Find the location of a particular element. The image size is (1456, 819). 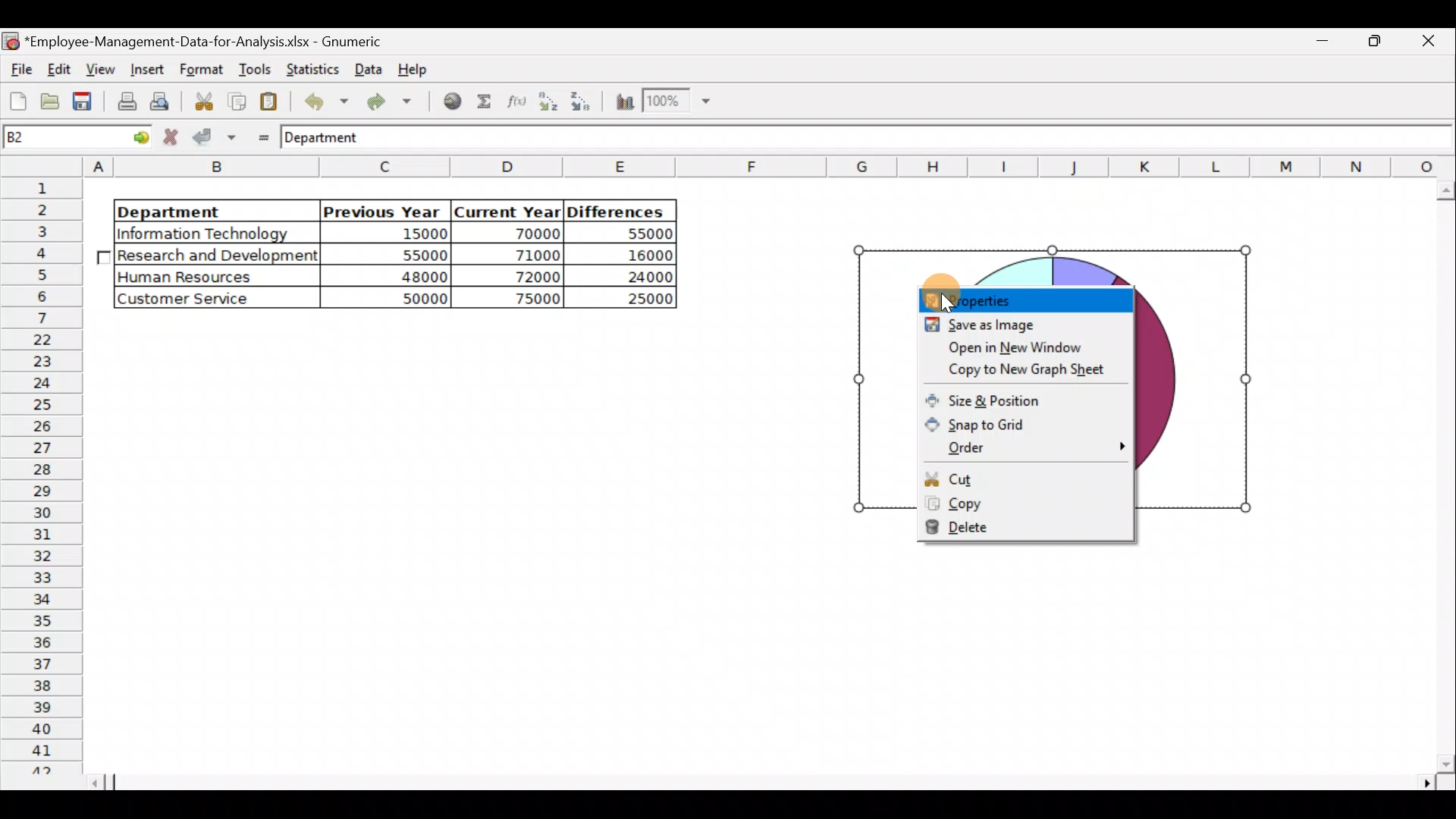

71000 is located at coordinates (525, 254).